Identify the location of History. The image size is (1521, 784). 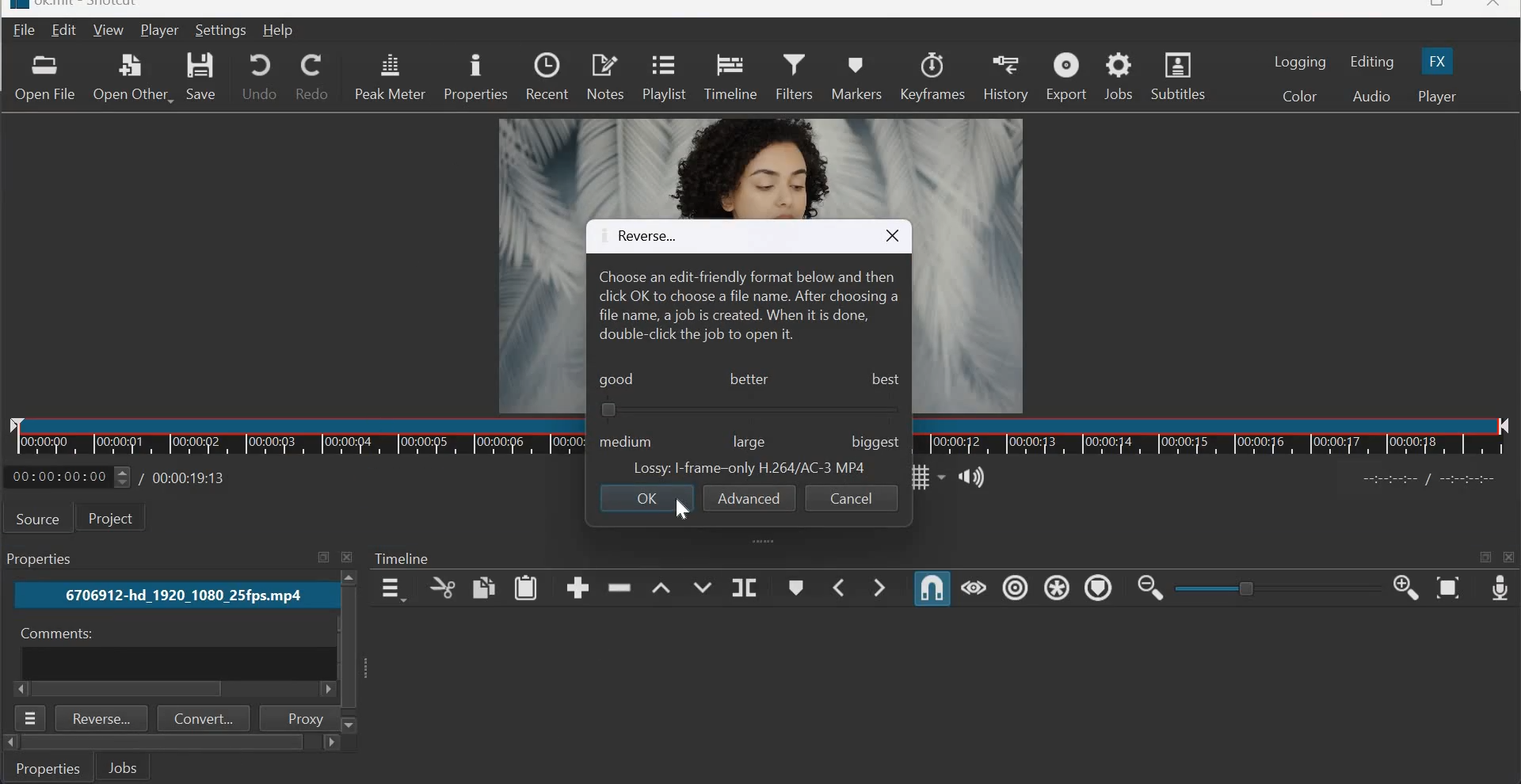
(1005, 76).